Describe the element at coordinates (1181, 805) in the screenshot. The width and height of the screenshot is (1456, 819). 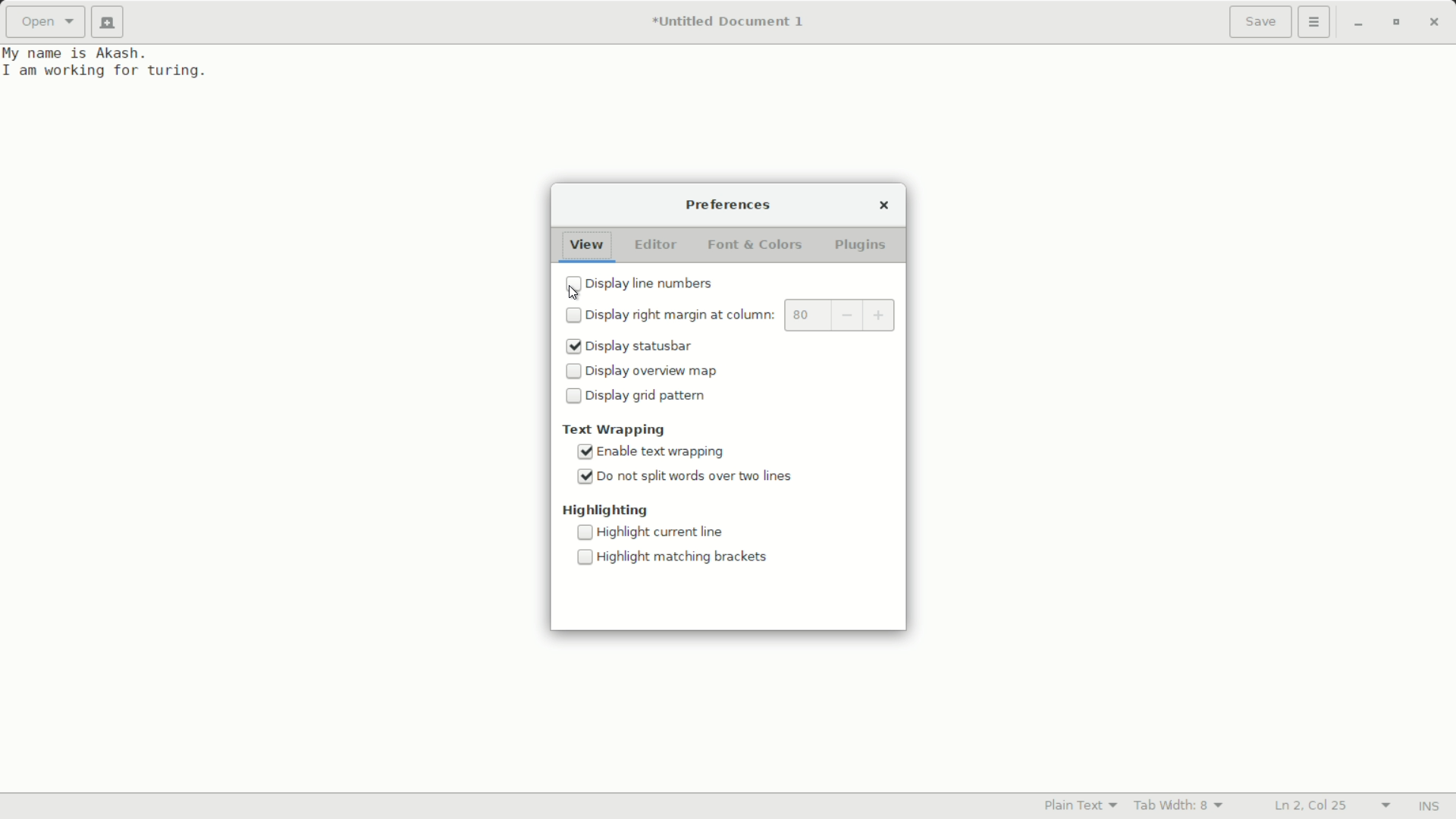
I see `tab width` at that location.